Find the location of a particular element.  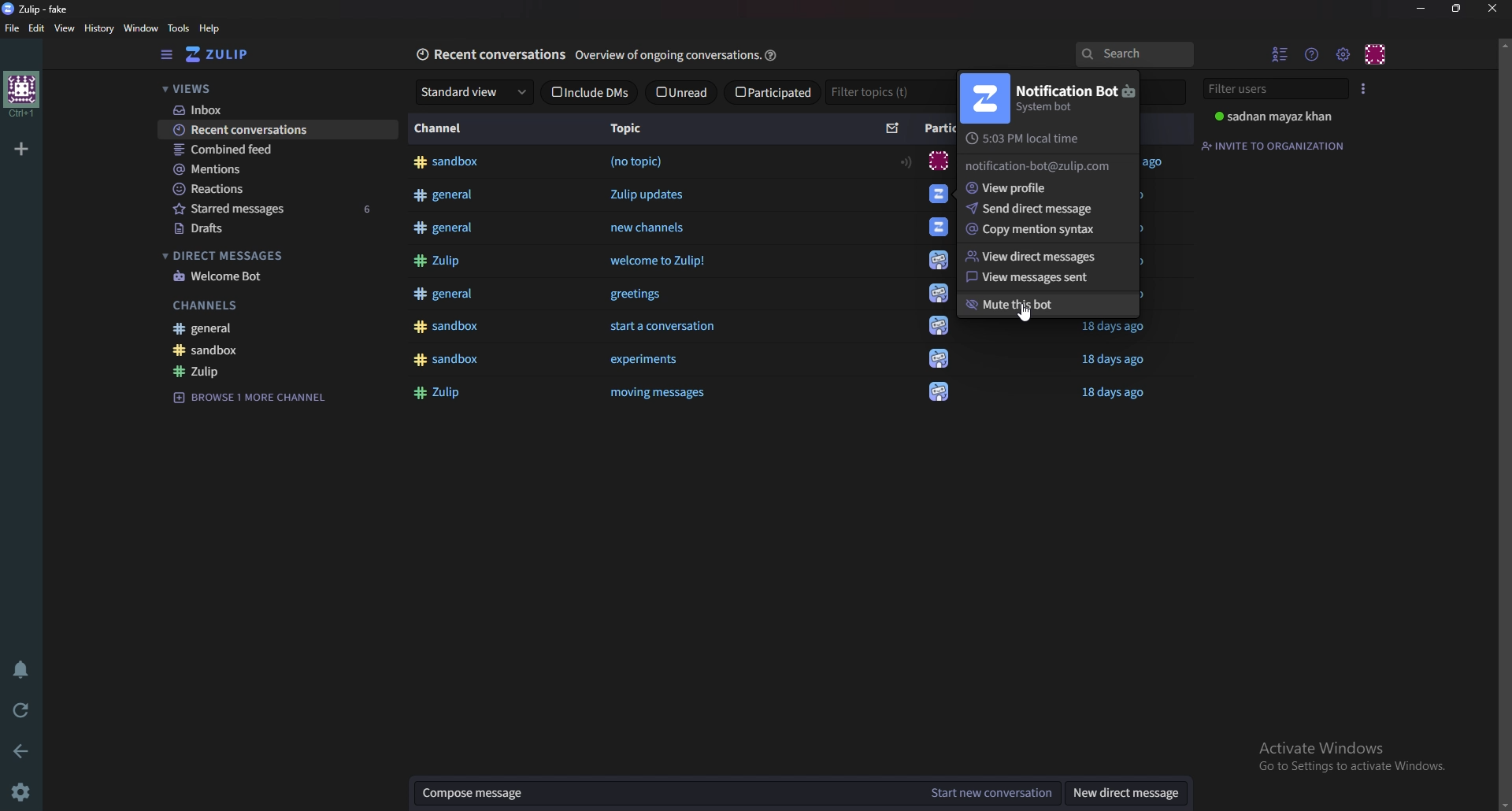

Channel is located at coordinates (447, 126).